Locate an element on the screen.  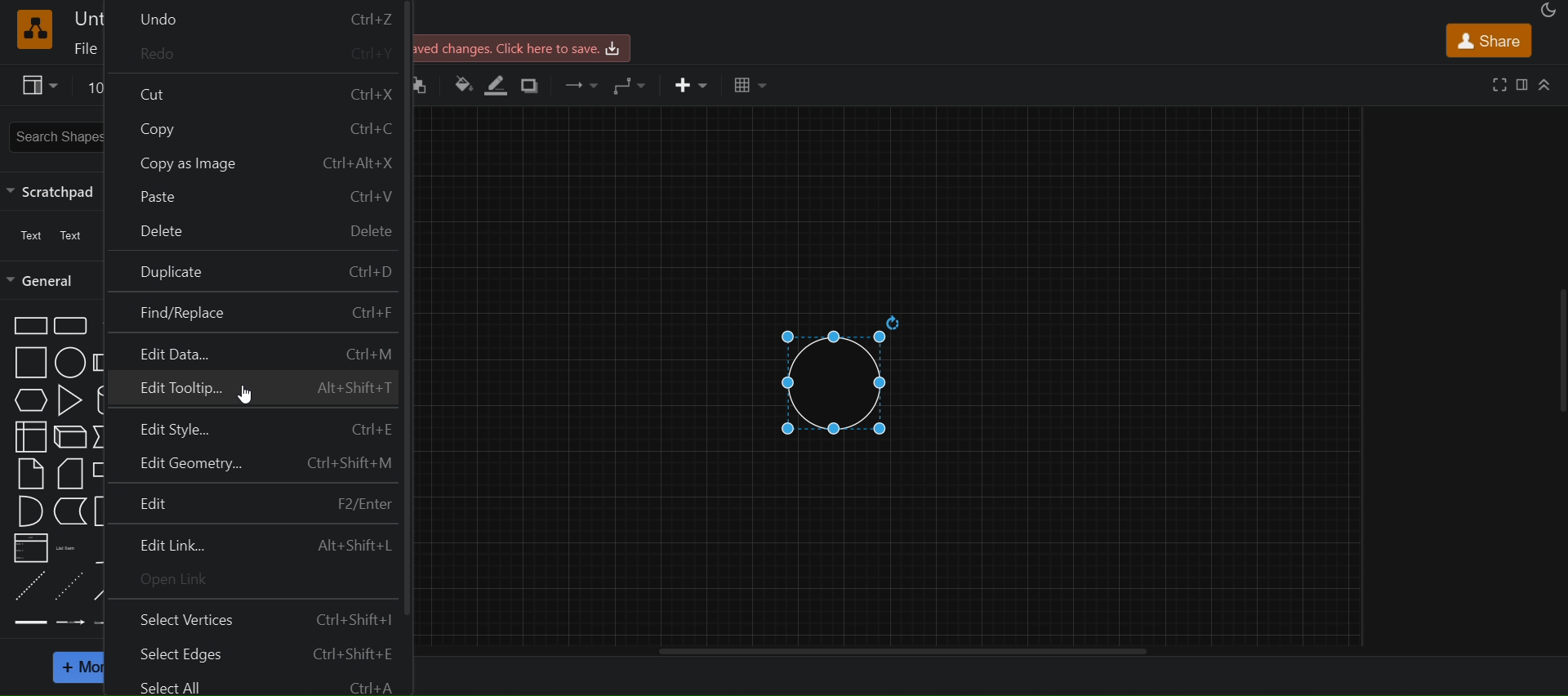
undo is located at coordinates (256, 16).